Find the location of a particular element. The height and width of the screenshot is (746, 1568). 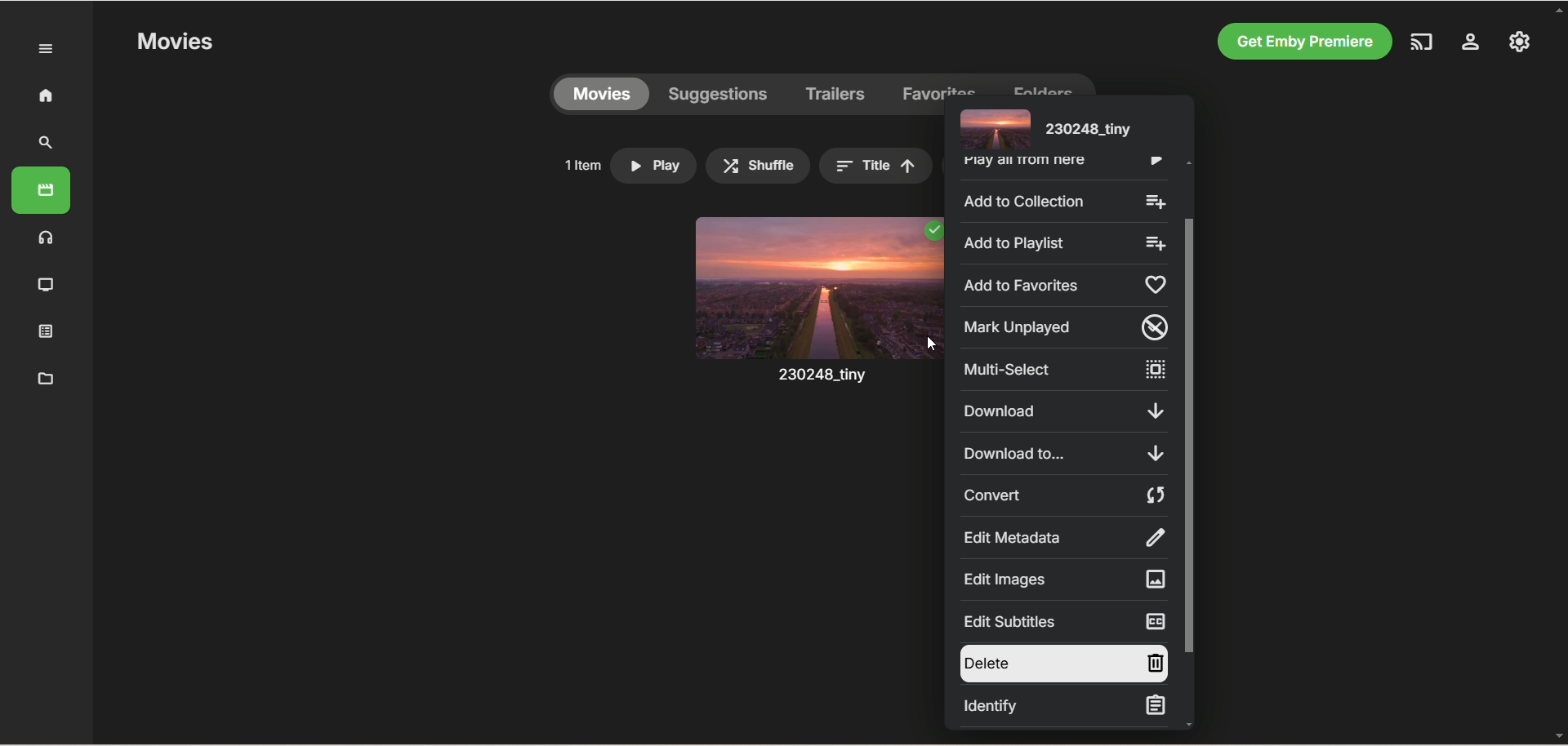

movie title is located at coordinates (1043, 128).